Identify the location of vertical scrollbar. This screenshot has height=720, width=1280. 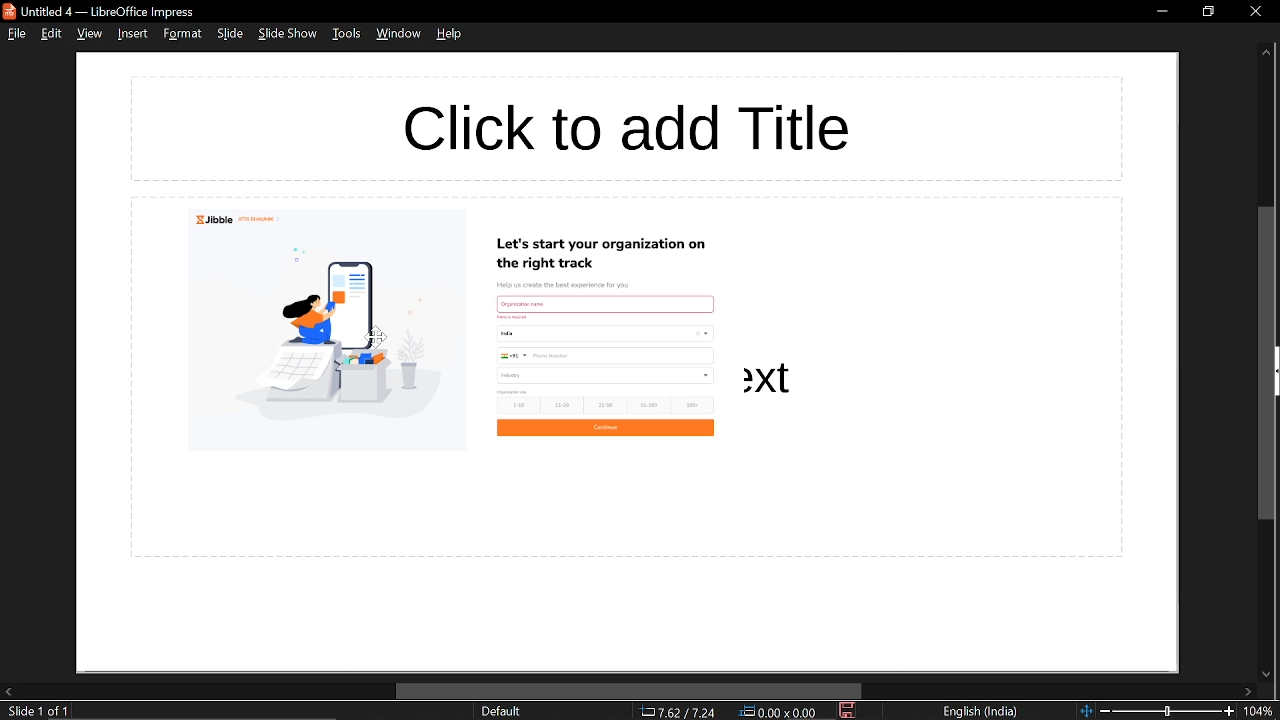
(1268, 364).